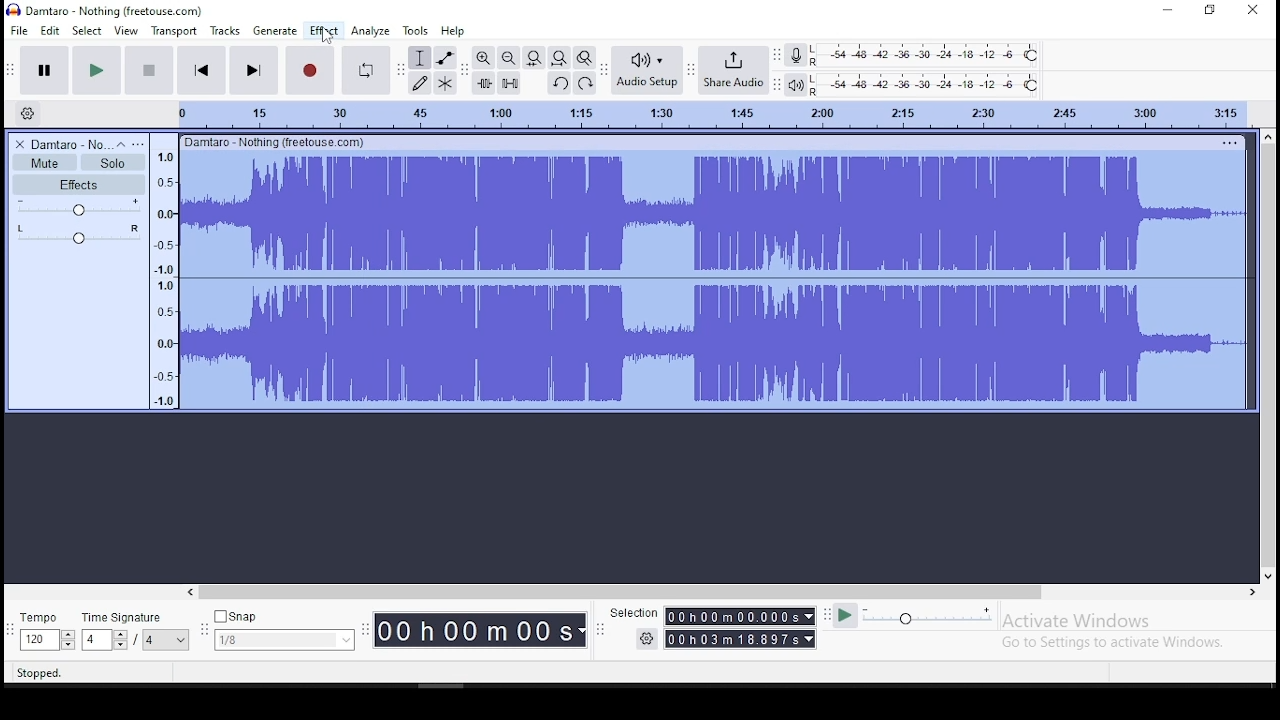 The width and height of the screenshot is (1280, 720). Describe the element at coordinates (444, 83) in the screenshot. I see `multi tool` at that location.